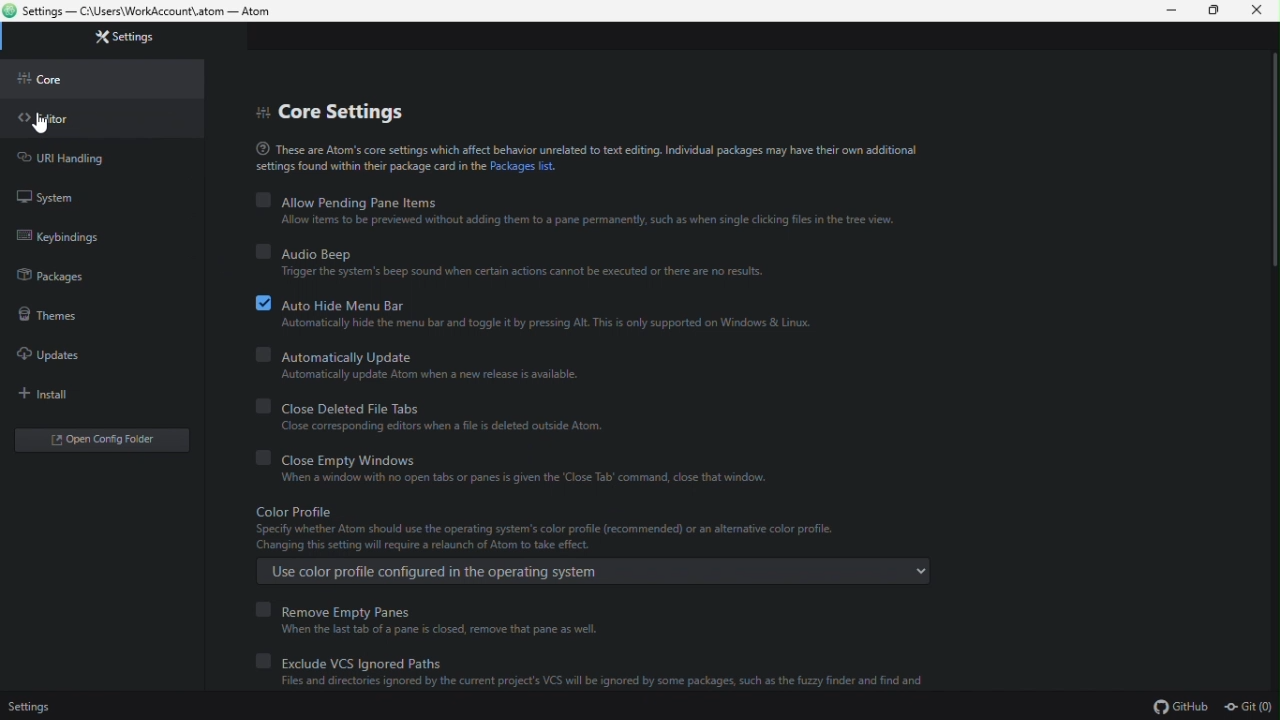 The image size is (1280, 720). Describe the element at coordinates (531, 479) in the screenshot. I see `When a window with no open tabs or panes is given the ‘Close Tab’ command, close that window.` at that location.